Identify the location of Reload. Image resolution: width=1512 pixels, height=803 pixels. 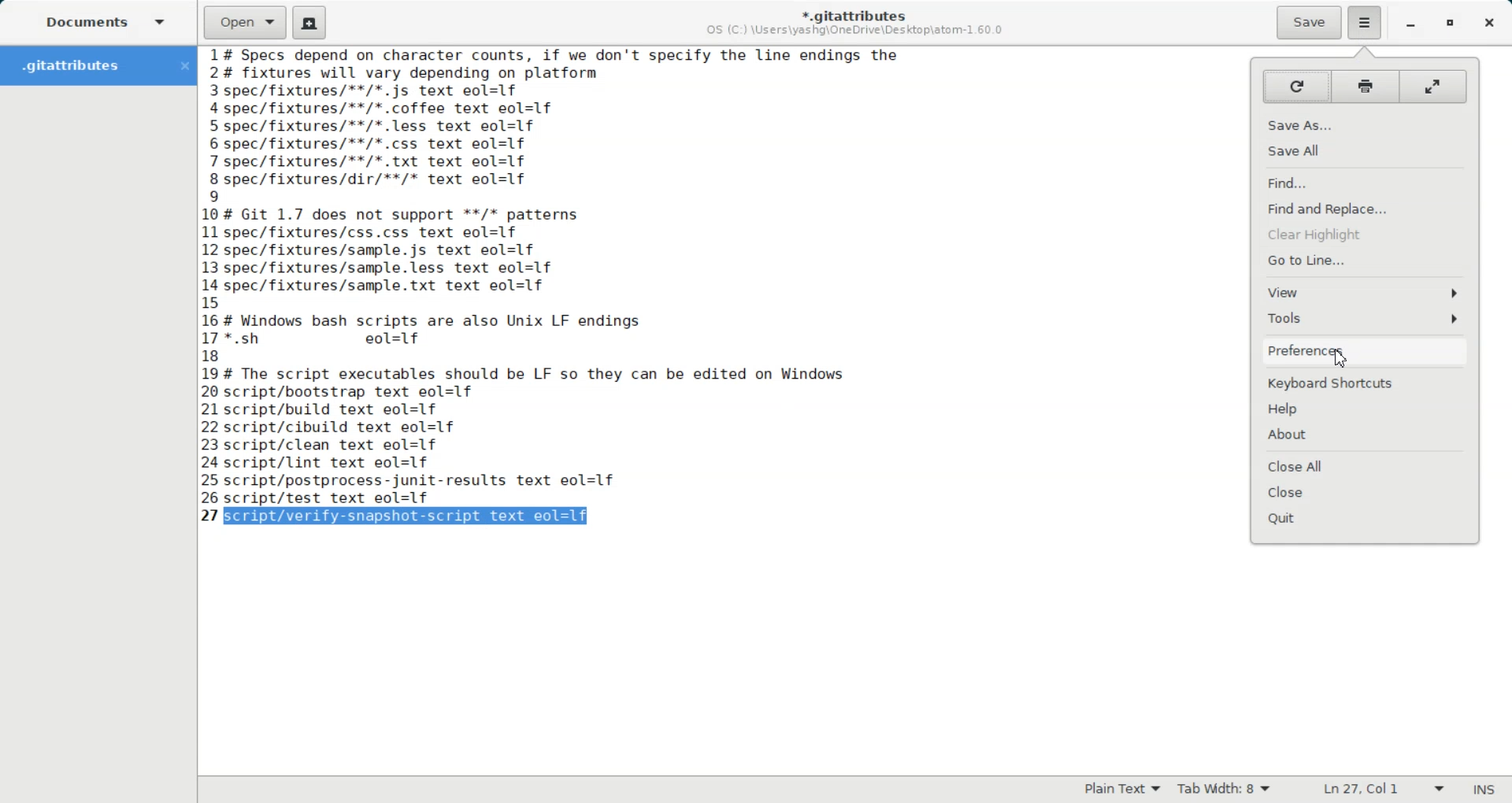
(1295, 86).